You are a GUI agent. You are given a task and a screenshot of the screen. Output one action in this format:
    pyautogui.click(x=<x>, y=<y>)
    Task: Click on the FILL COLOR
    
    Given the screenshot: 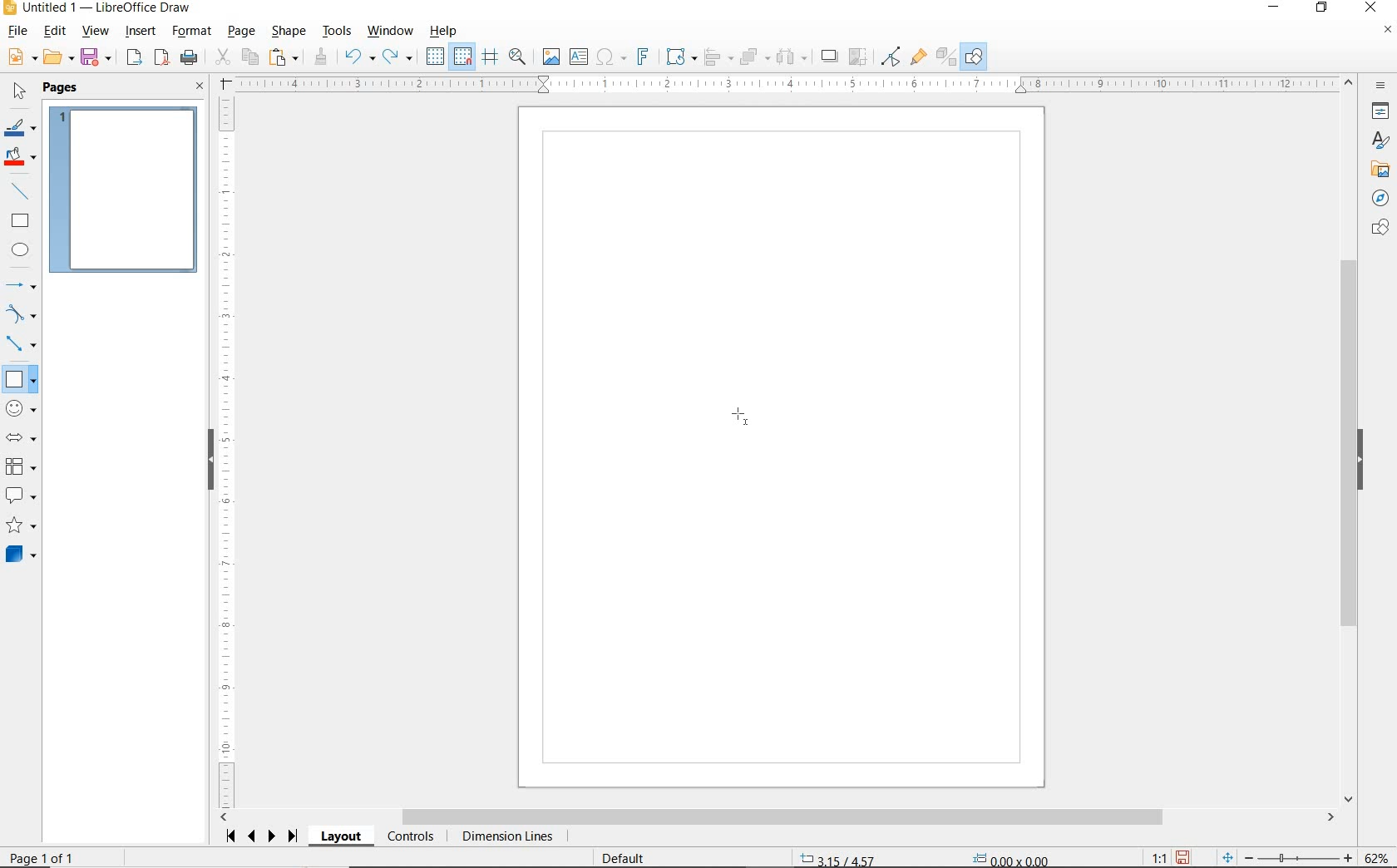 What is the action you would take?
    pyautogui.click(x=22, y=159)
    